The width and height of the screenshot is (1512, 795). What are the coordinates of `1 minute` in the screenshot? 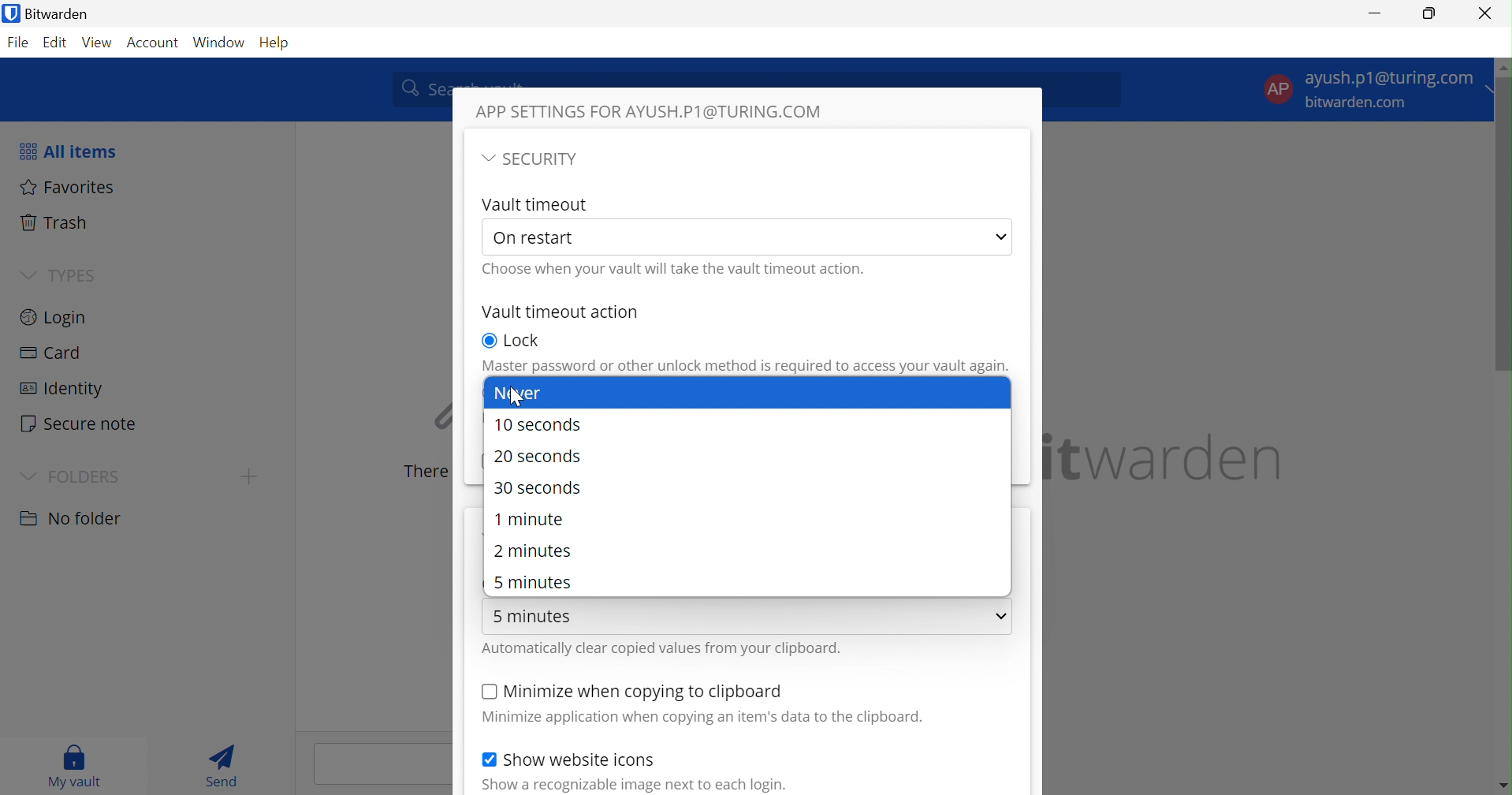 It's located at (531, 521).